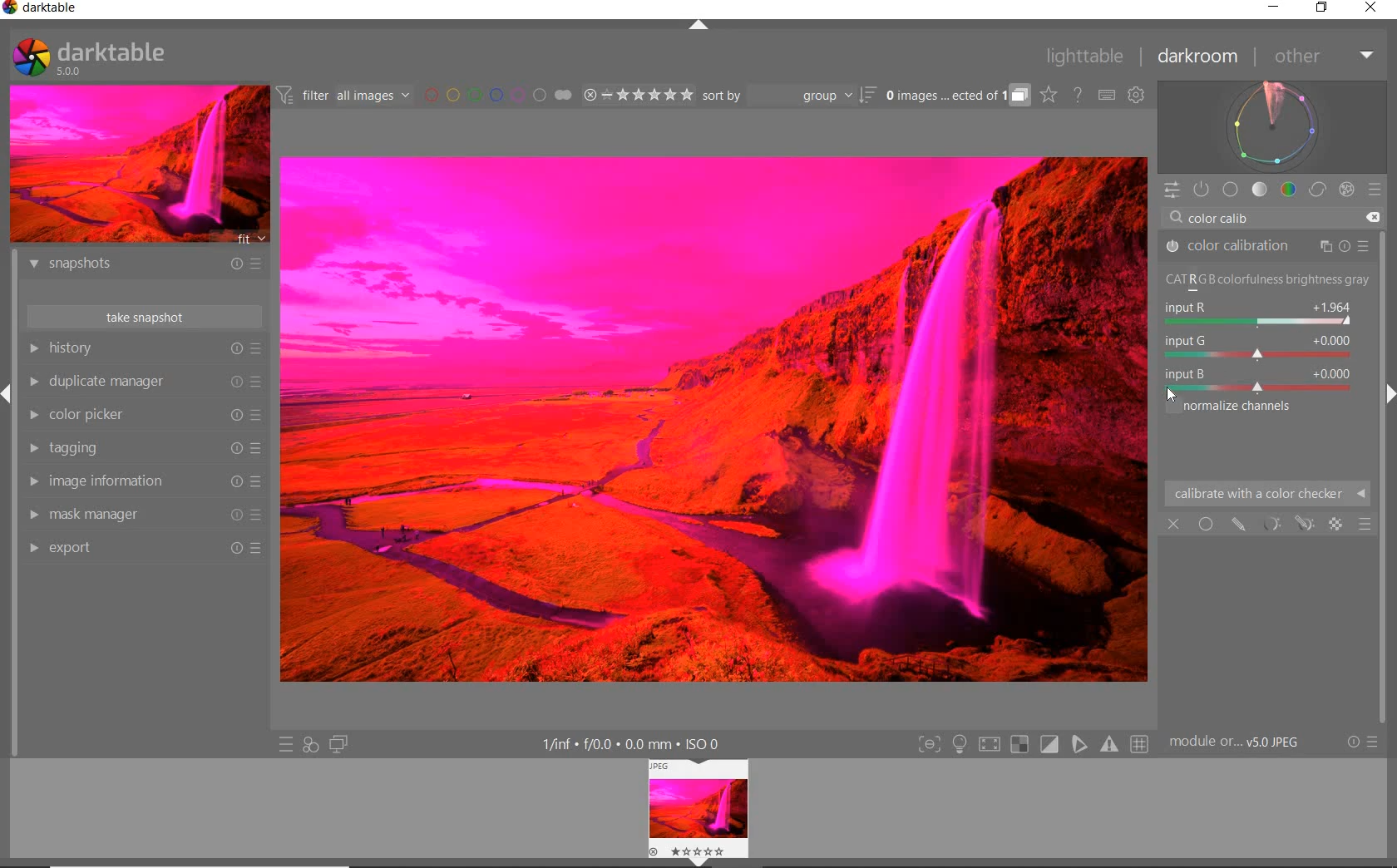  I want to click on duplicate manager, so click(144, 381).